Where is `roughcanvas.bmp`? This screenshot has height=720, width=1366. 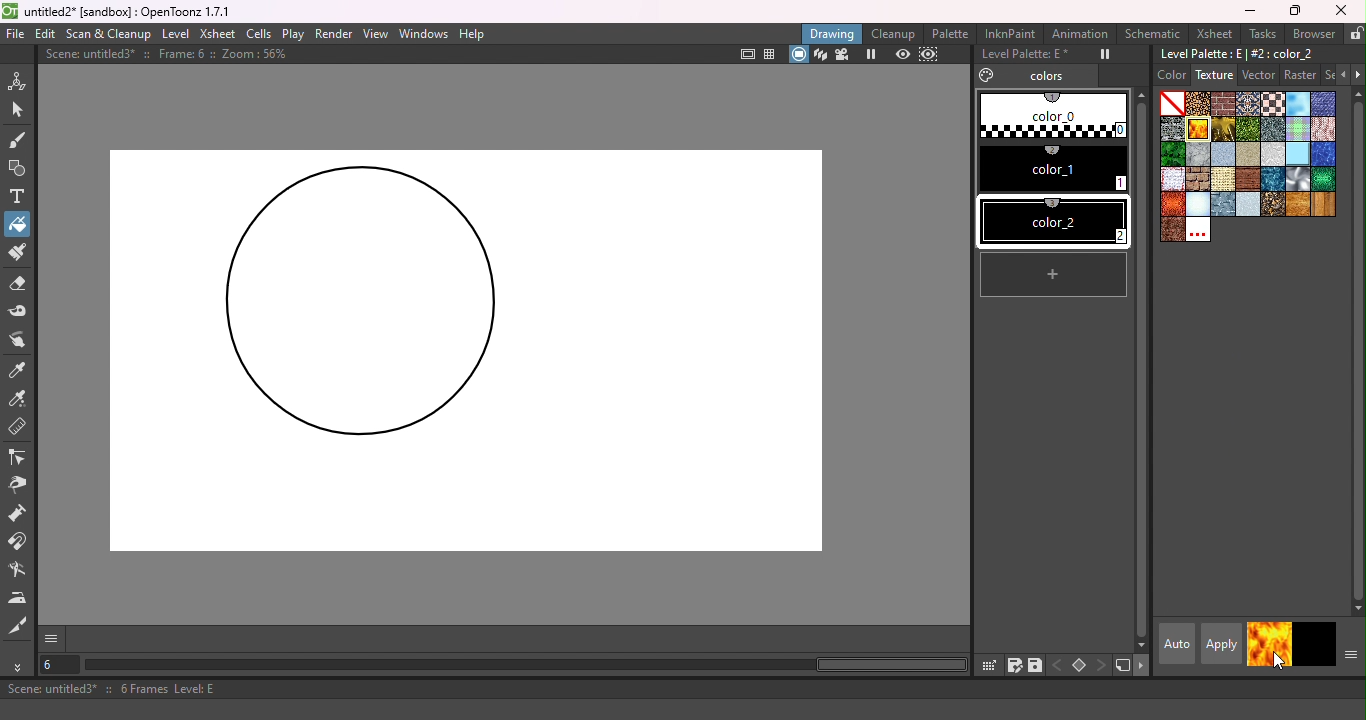 roughcanvas.bmp is located at coordinates (1224, 180).